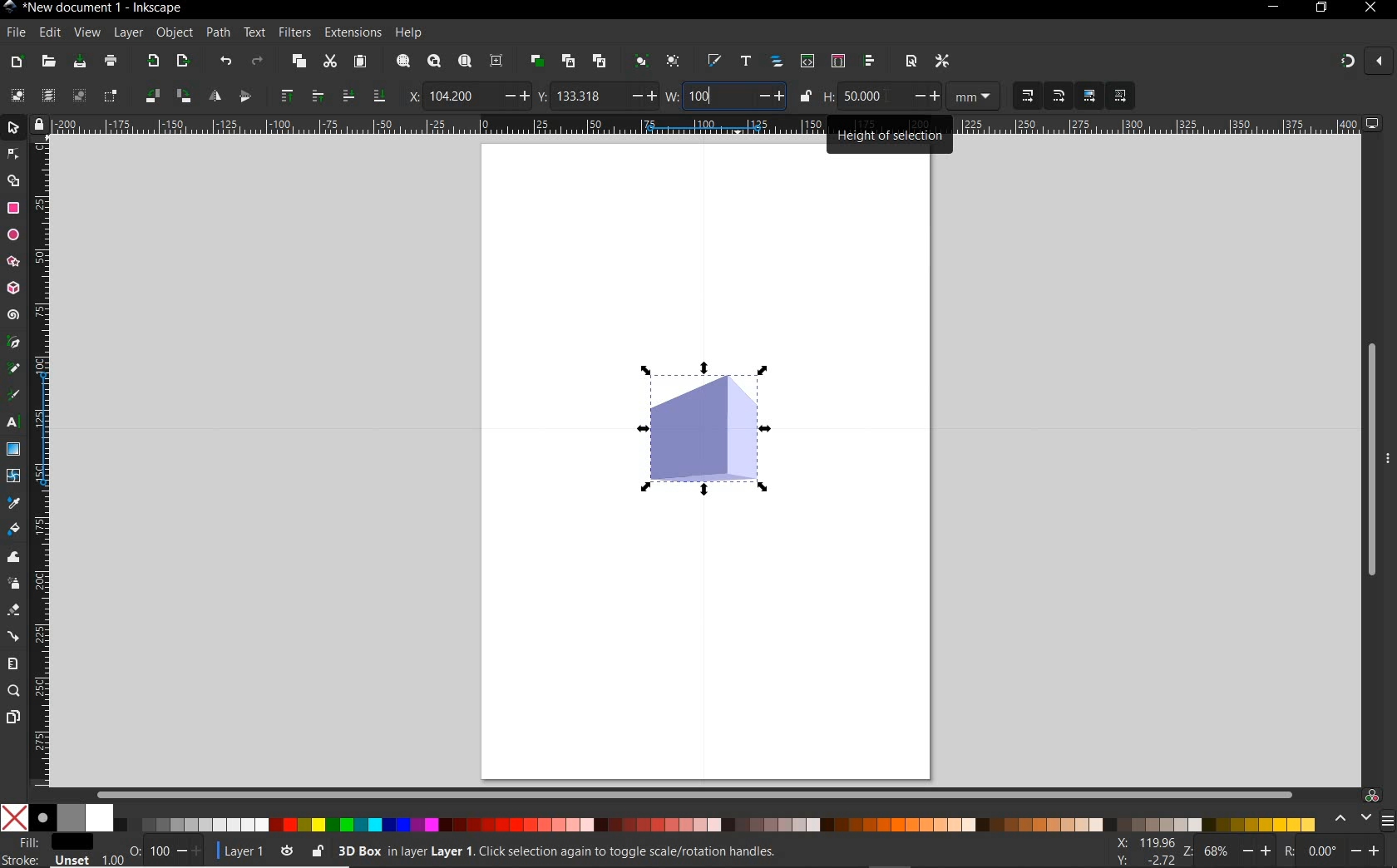 This screenshot has width=1397, height=868. I want to click on h, so click(828, 96).